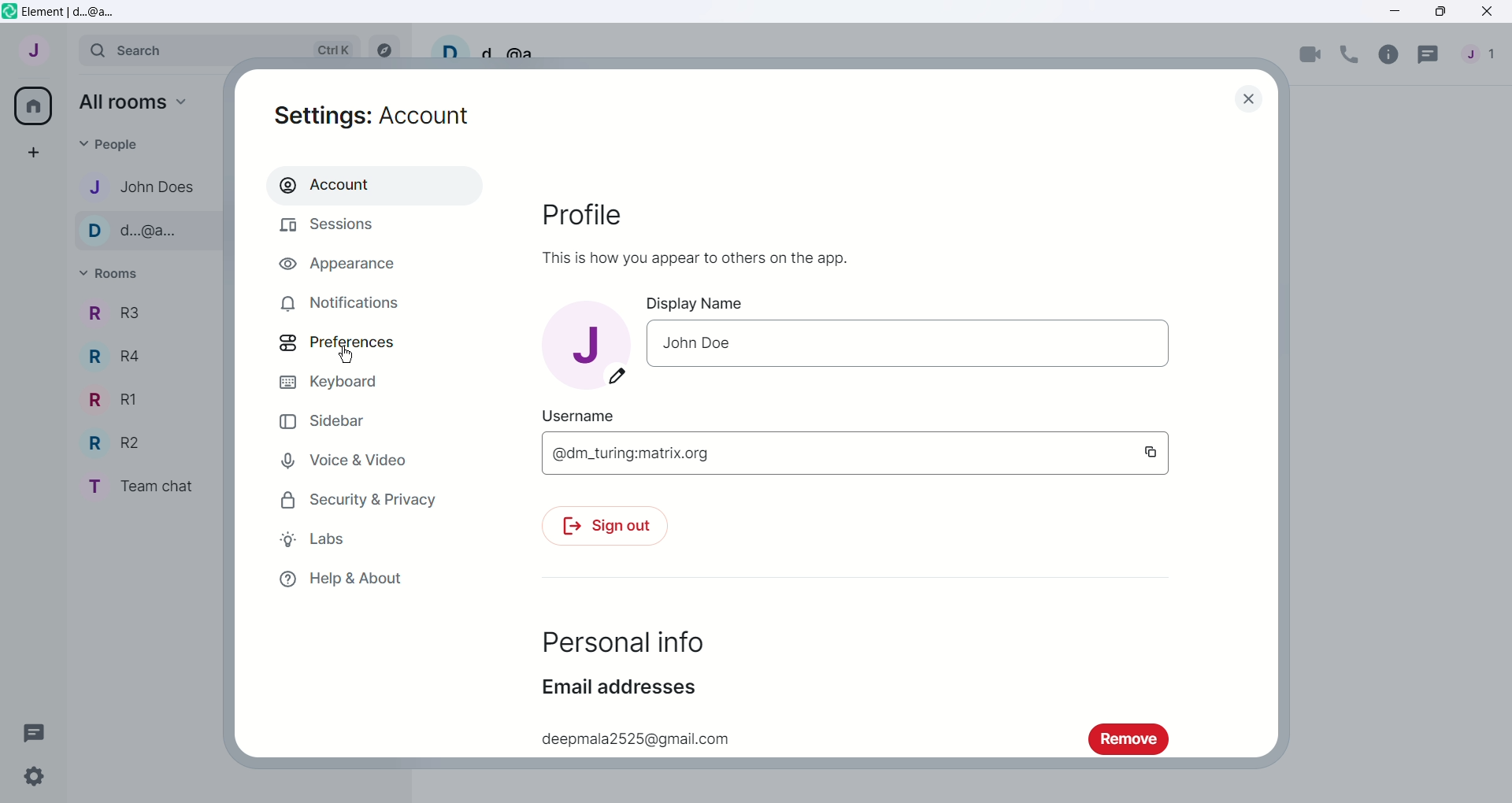 This screenshot has height=803, width=1512. What do you see at coordinates (347, 578) in the screenshot?
I see `Help and About` at bounding box center [347, 578].